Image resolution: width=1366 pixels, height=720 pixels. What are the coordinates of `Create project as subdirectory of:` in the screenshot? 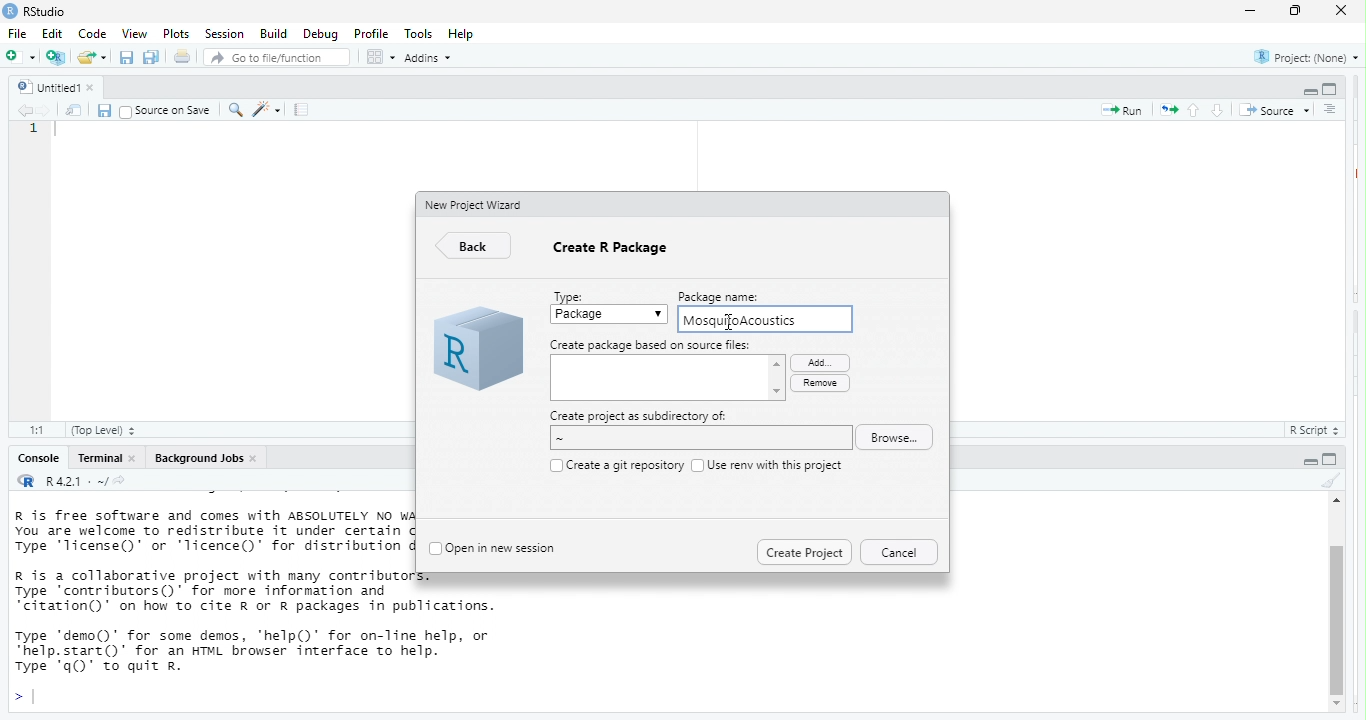 It's located at (639, 416).